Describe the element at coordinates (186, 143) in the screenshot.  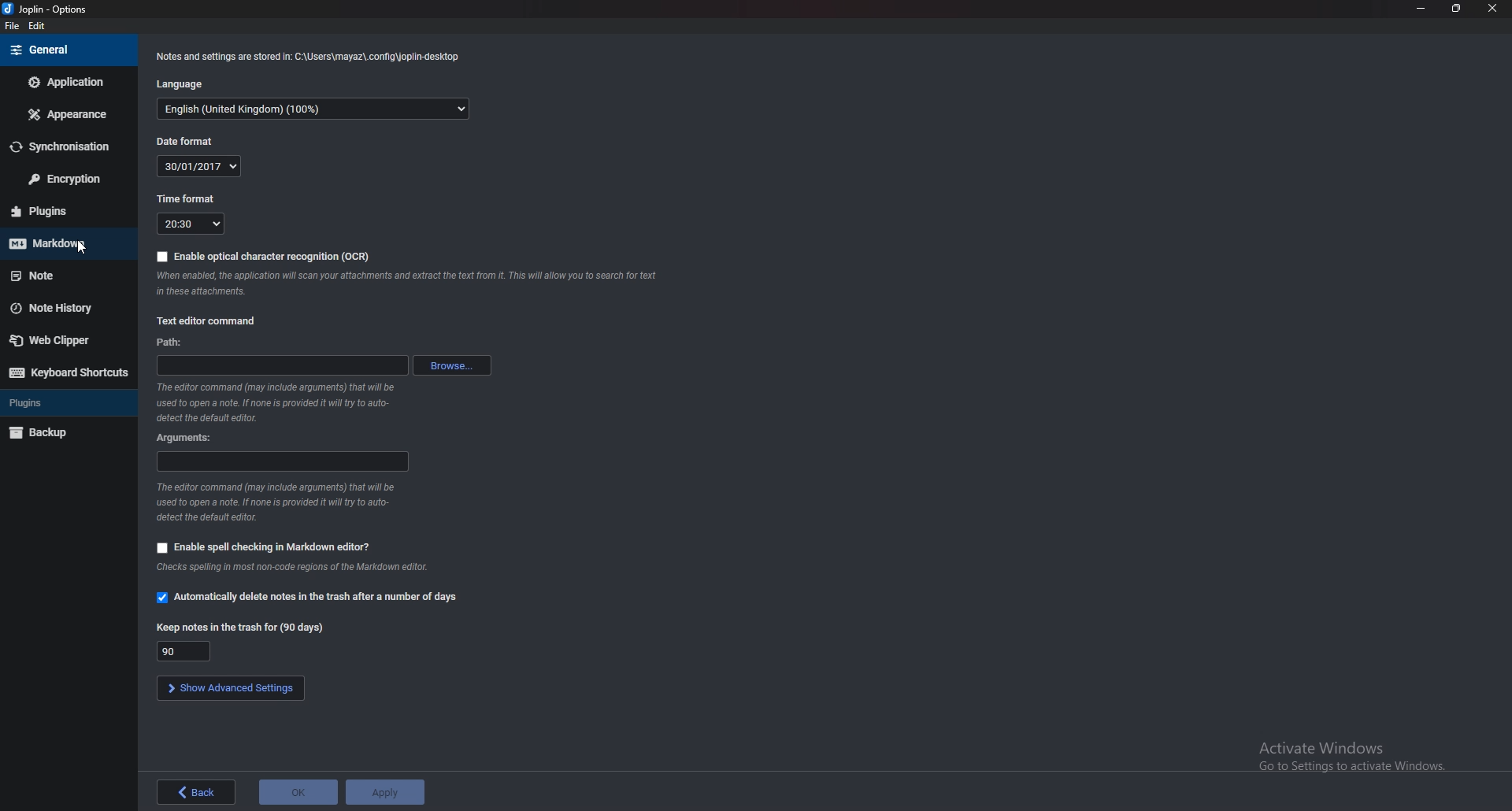
I see `Date format` at that location.